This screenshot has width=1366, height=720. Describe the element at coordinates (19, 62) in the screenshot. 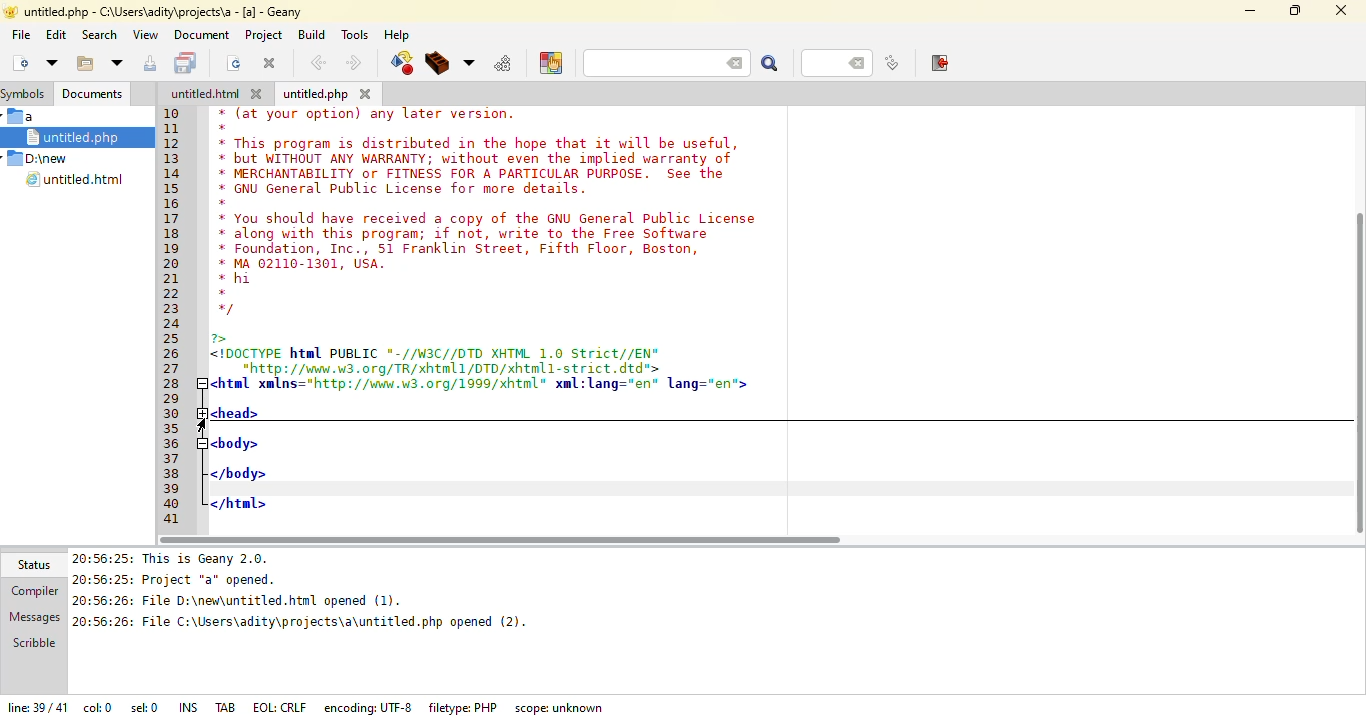

I see `create new file` at that location.